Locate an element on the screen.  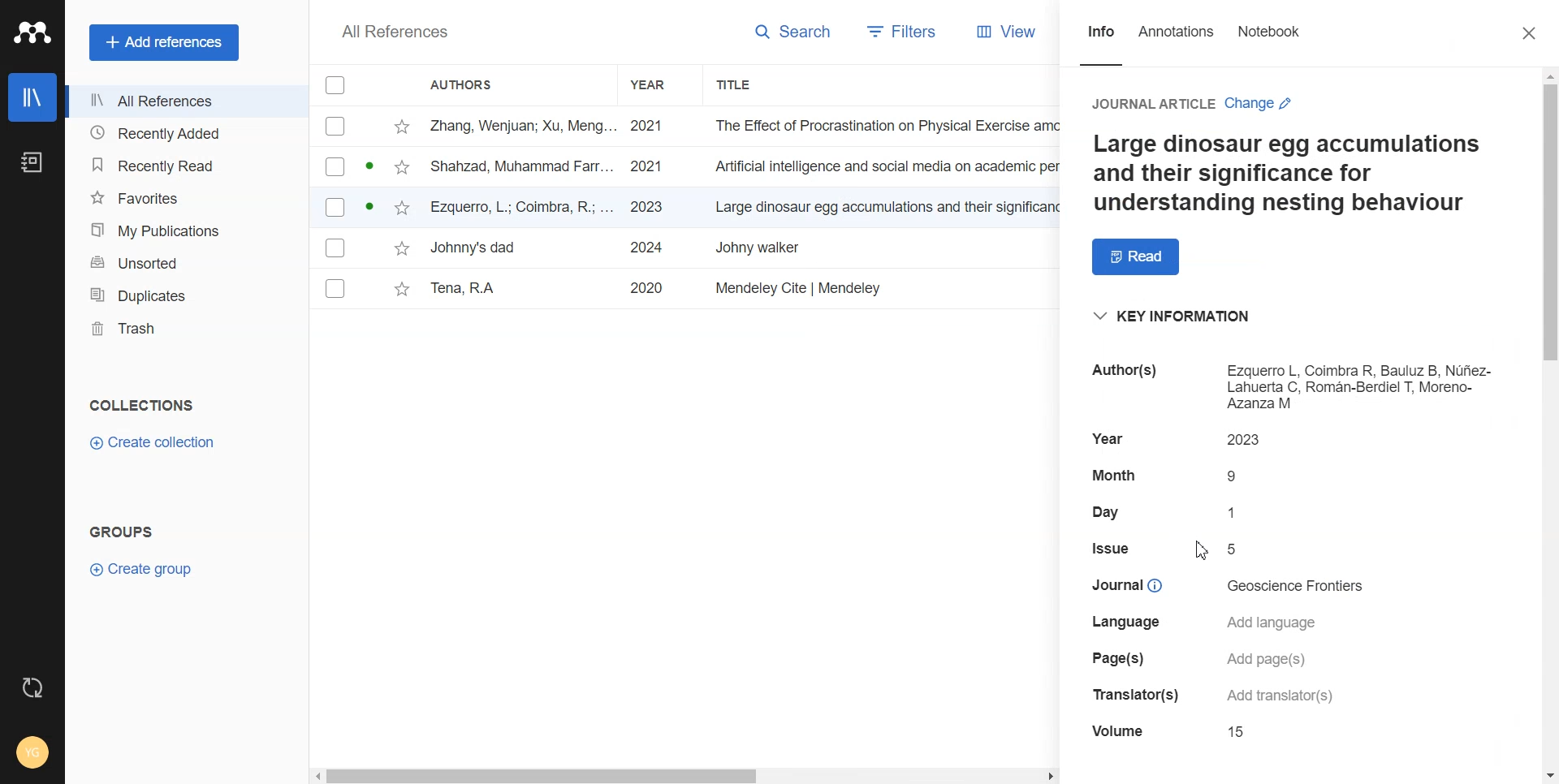
Recently Added is located at coordinates (185, 132).